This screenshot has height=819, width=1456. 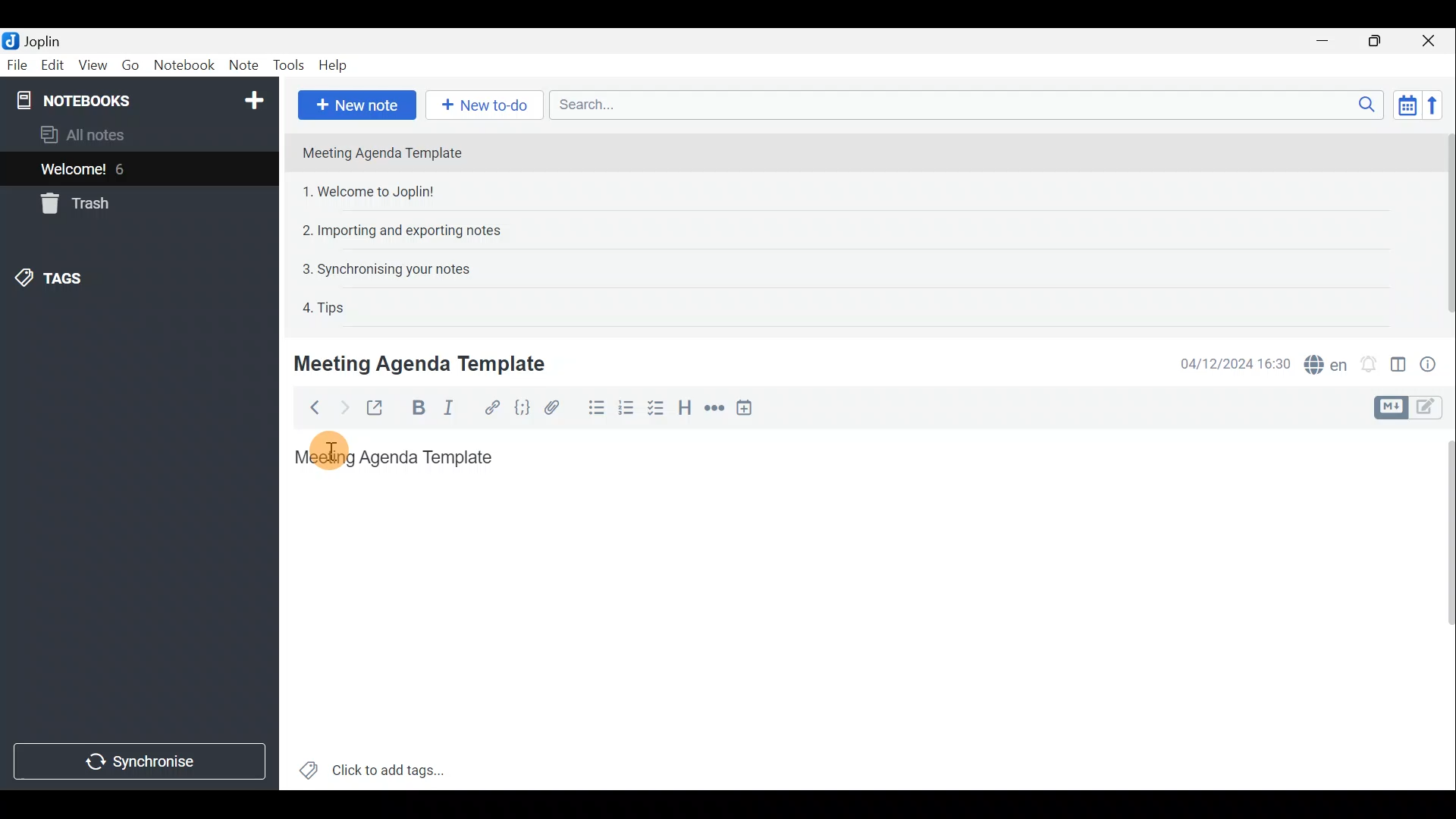 I want to click on Heading, so click(x=684, y=411).